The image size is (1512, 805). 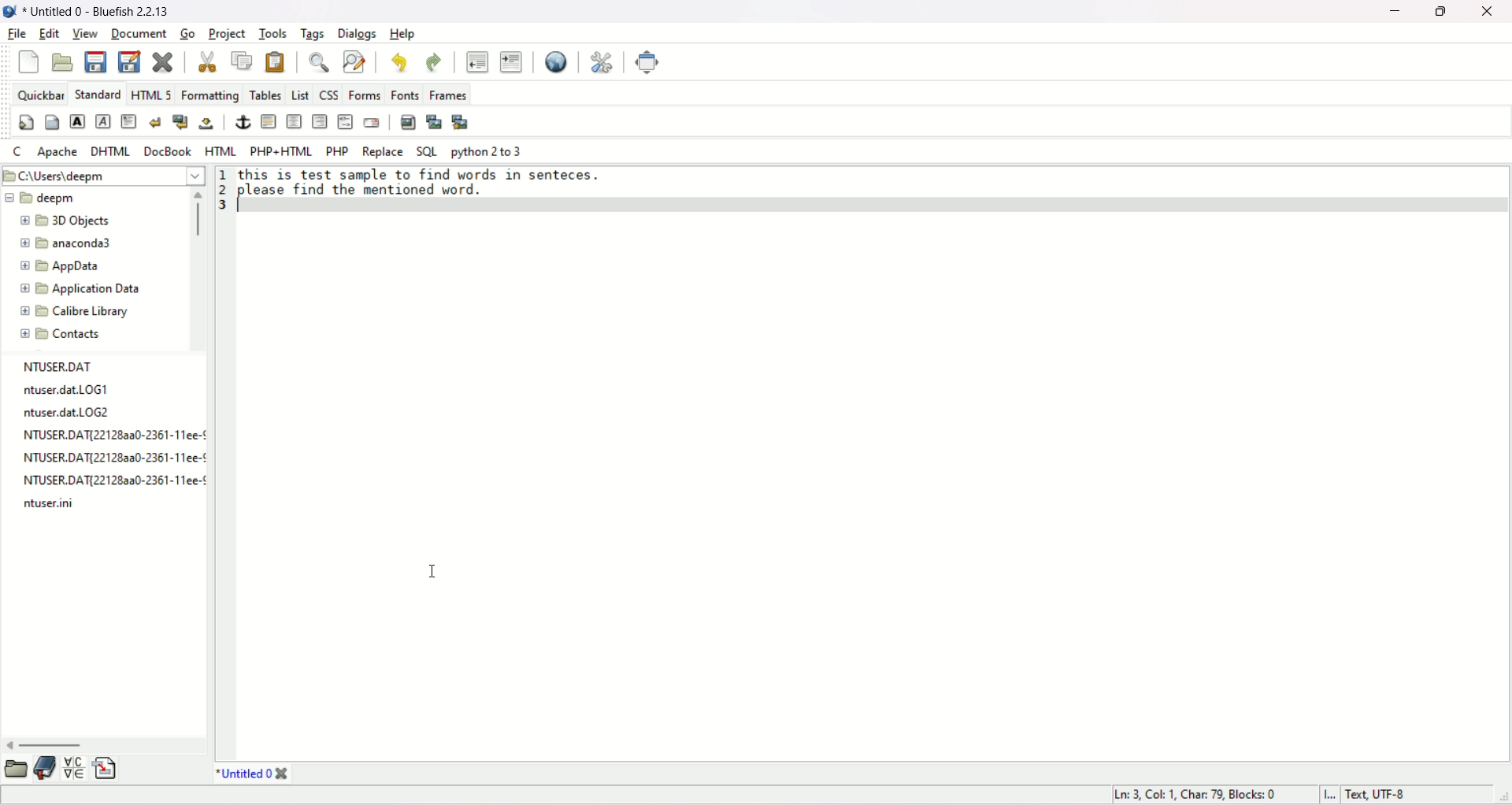 I want to click on text, UTF-8, so click(x=1374, y=794).